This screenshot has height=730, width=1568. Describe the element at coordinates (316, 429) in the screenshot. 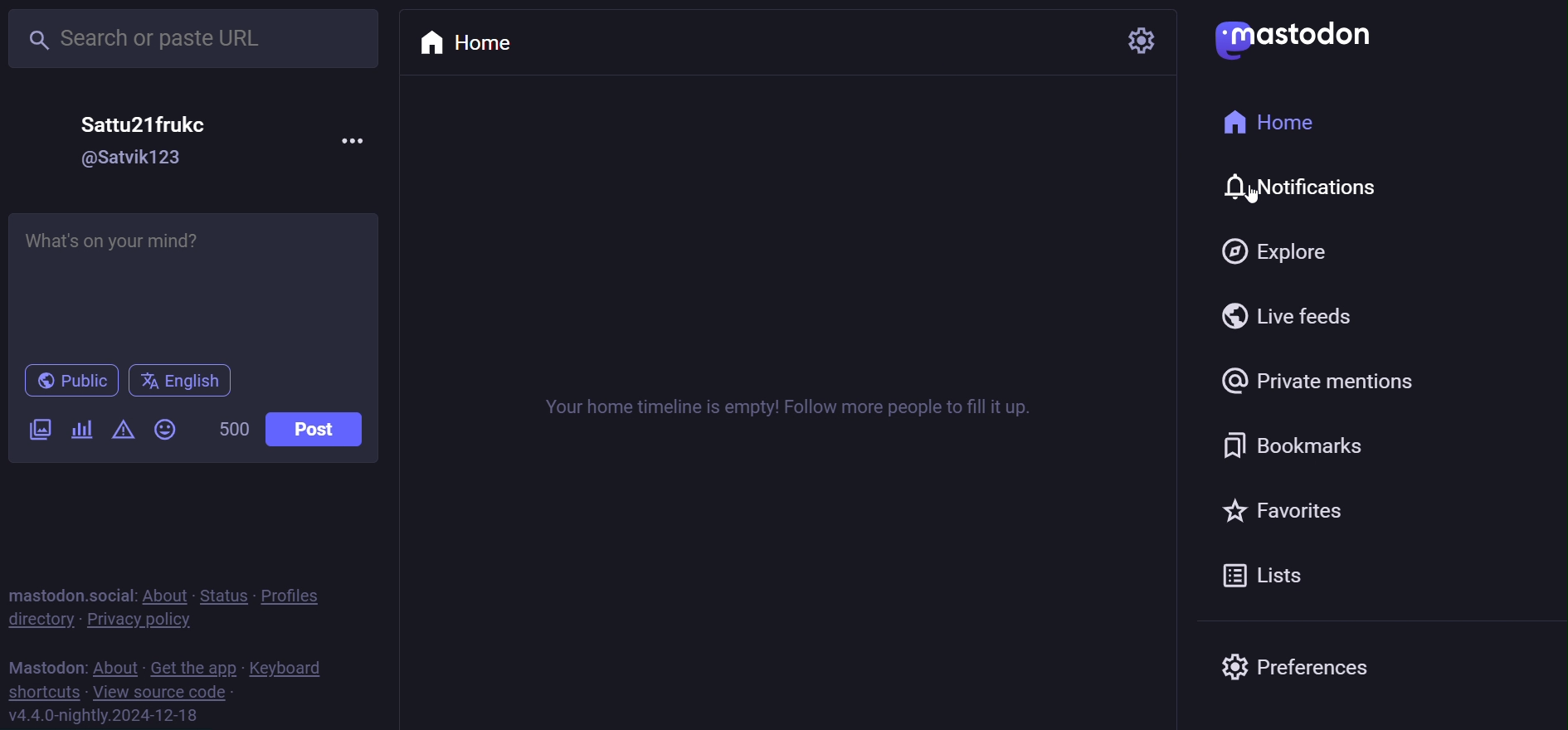

I see `post` at that location.